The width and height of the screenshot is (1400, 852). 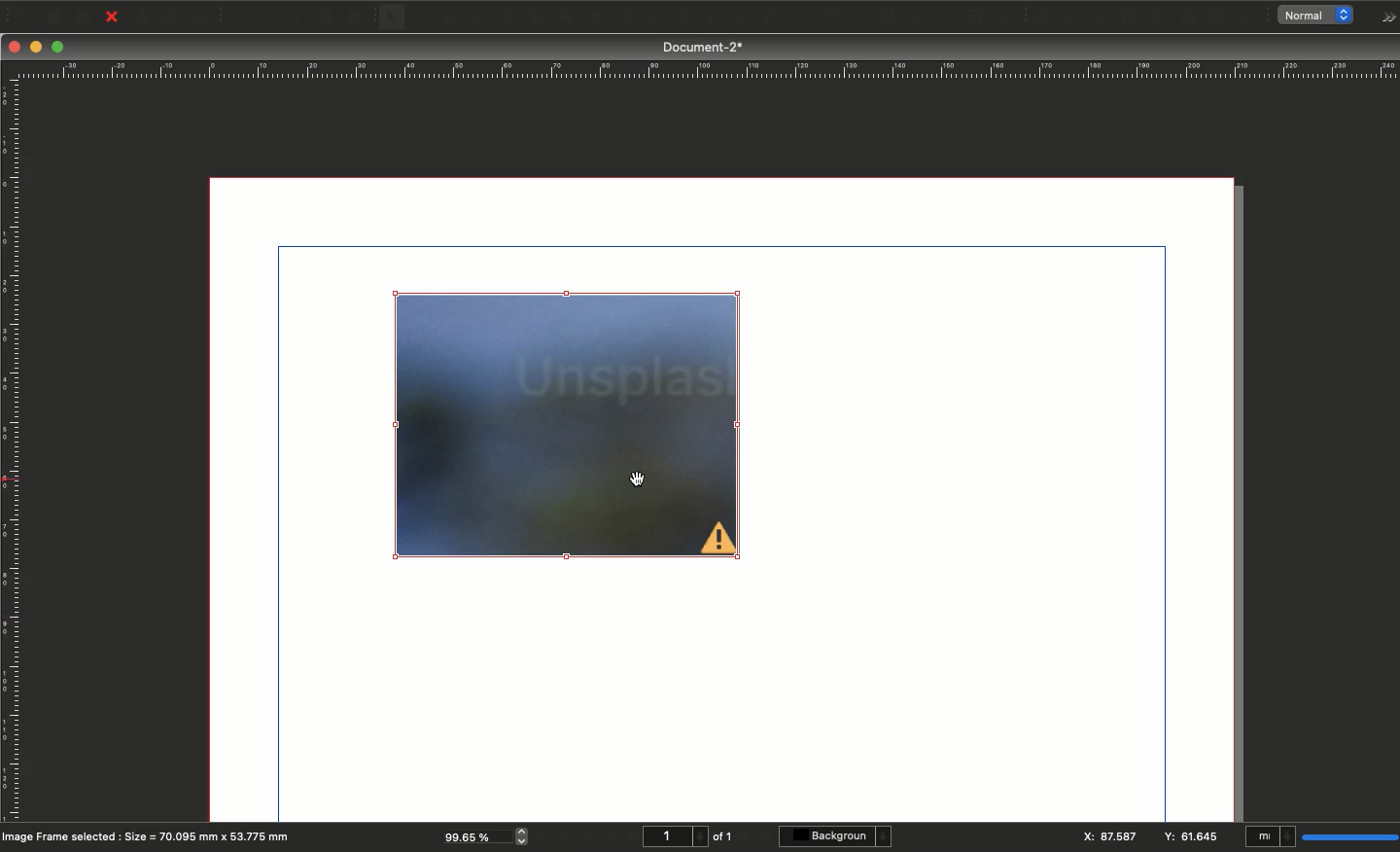 I want to click on Preflight verifier, so click(x=172, y=20).